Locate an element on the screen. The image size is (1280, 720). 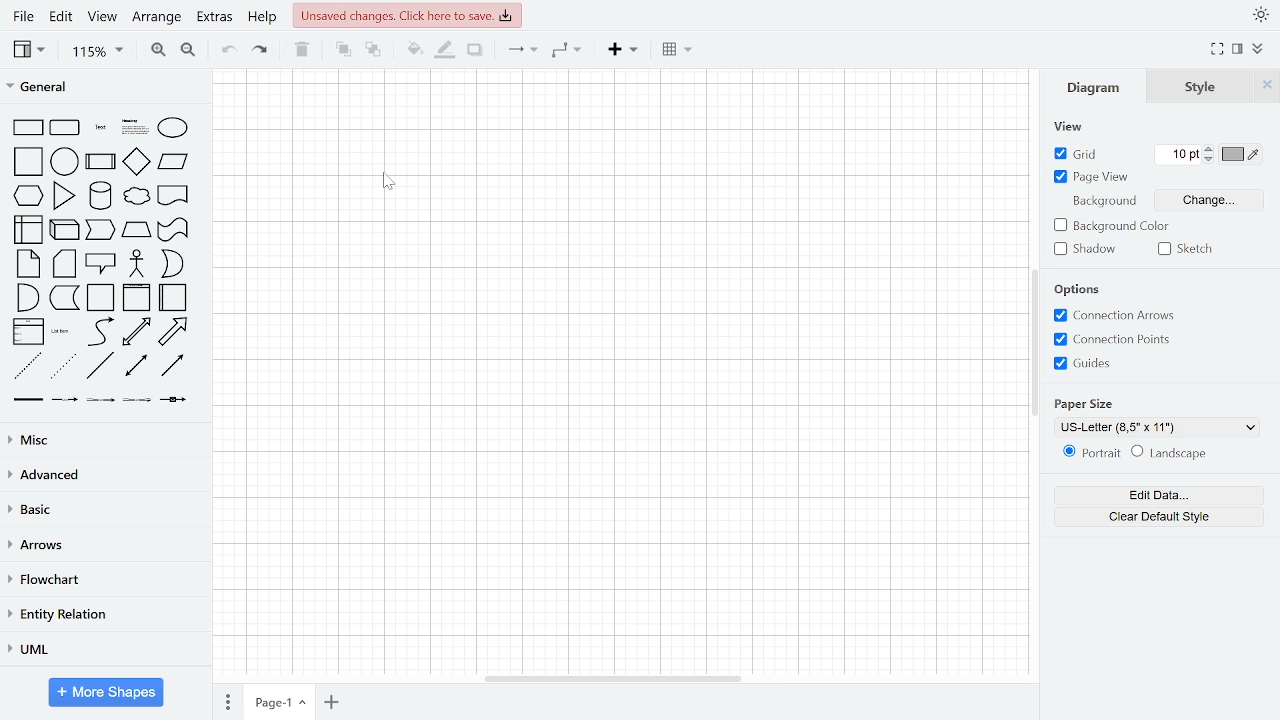
connector with 2 labels is located at coordinates (101, 399).